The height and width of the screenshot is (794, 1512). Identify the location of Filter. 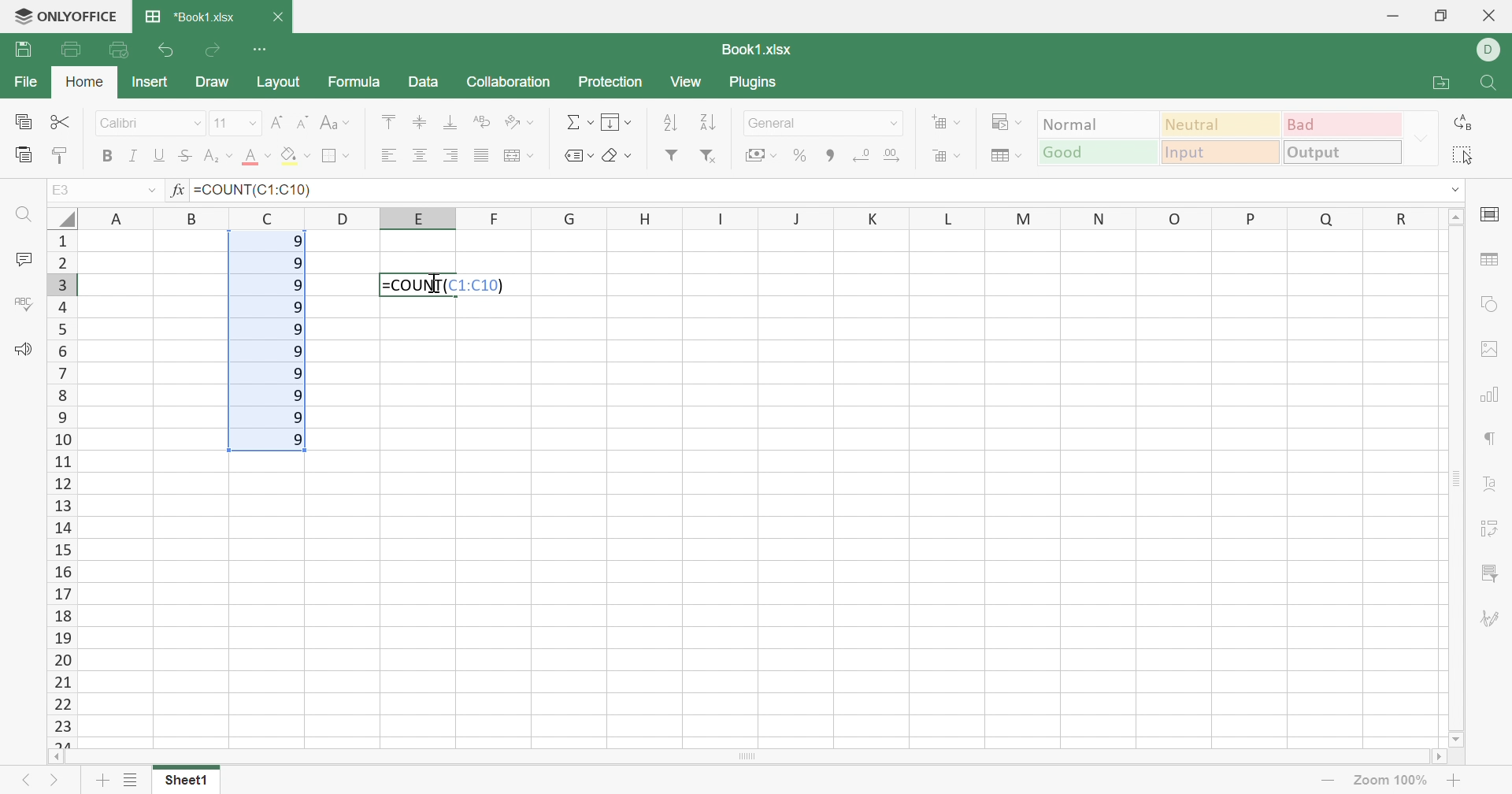
(670, 158).